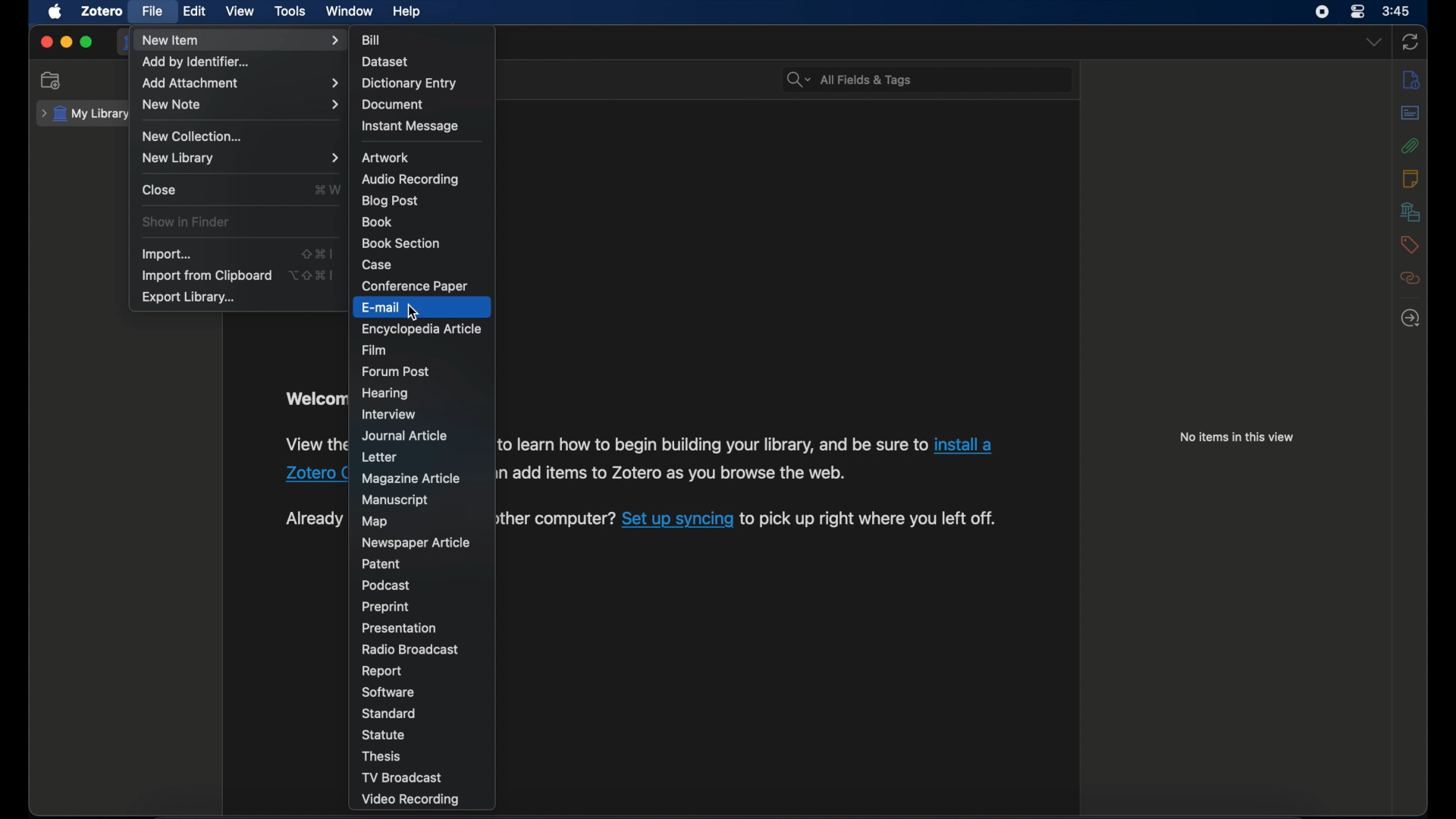  What do you see at coordinates (240, 105) in the screenshot?
I see `new note` at bounding box center [240, 105].